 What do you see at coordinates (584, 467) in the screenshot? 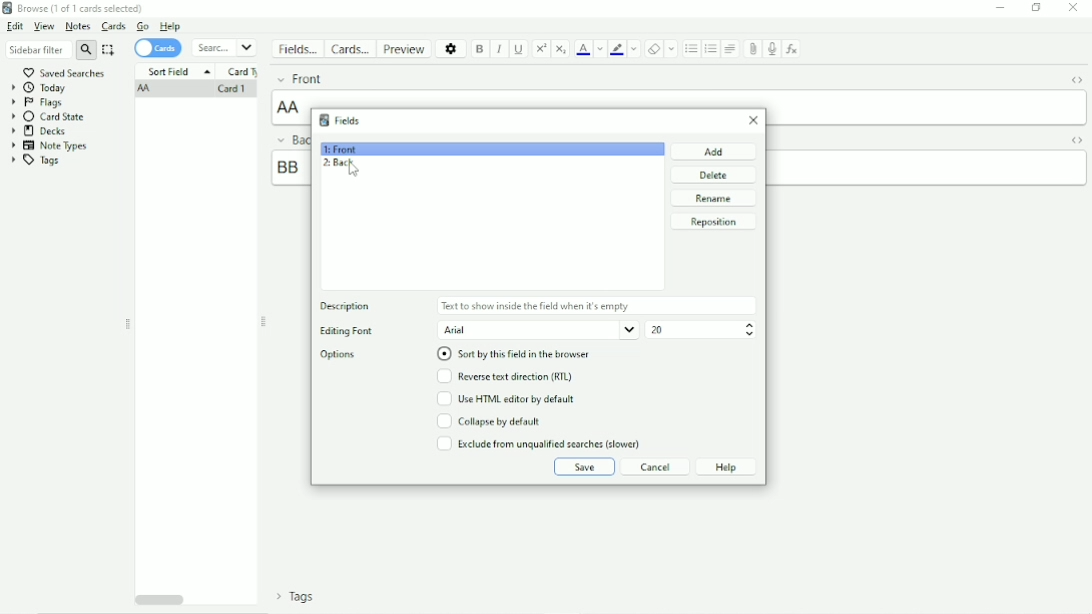
I see `Save` at bounding box center [584, 467].